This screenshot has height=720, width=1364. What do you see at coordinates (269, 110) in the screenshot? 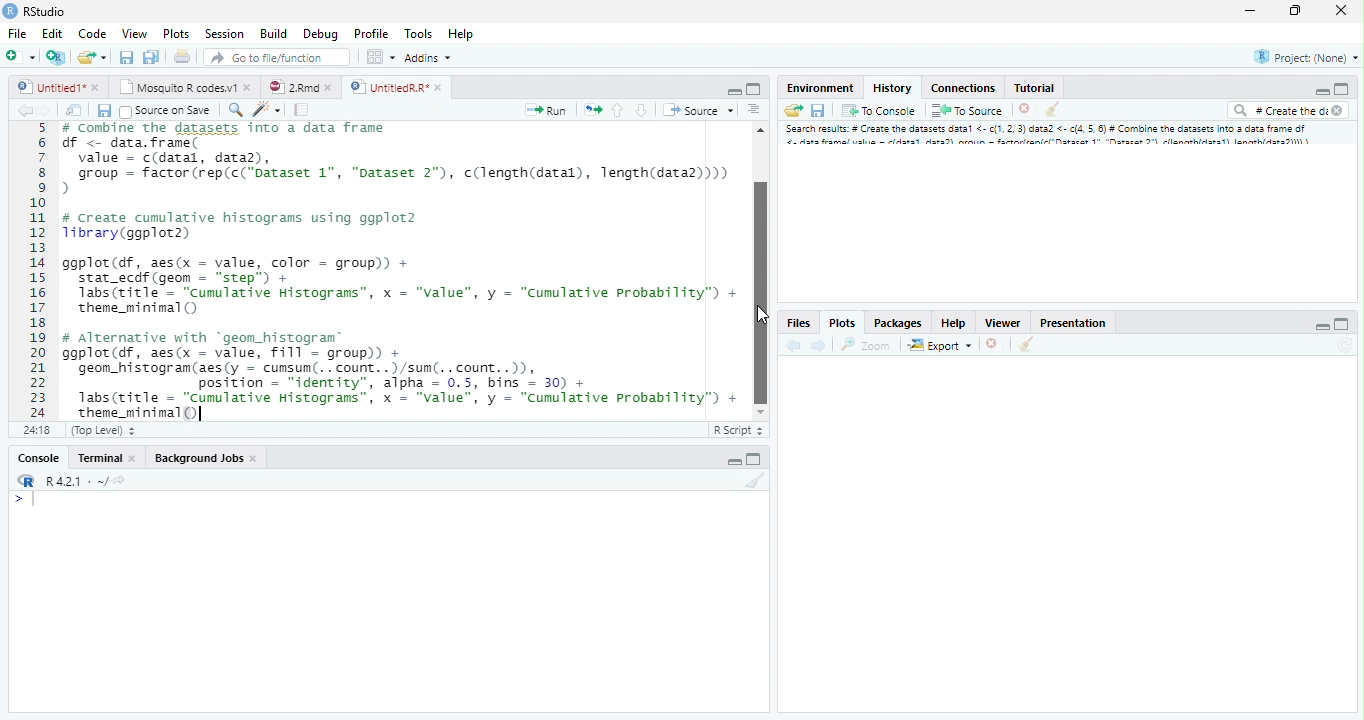
I see `Code beautify` at bounding box center [269, 110].